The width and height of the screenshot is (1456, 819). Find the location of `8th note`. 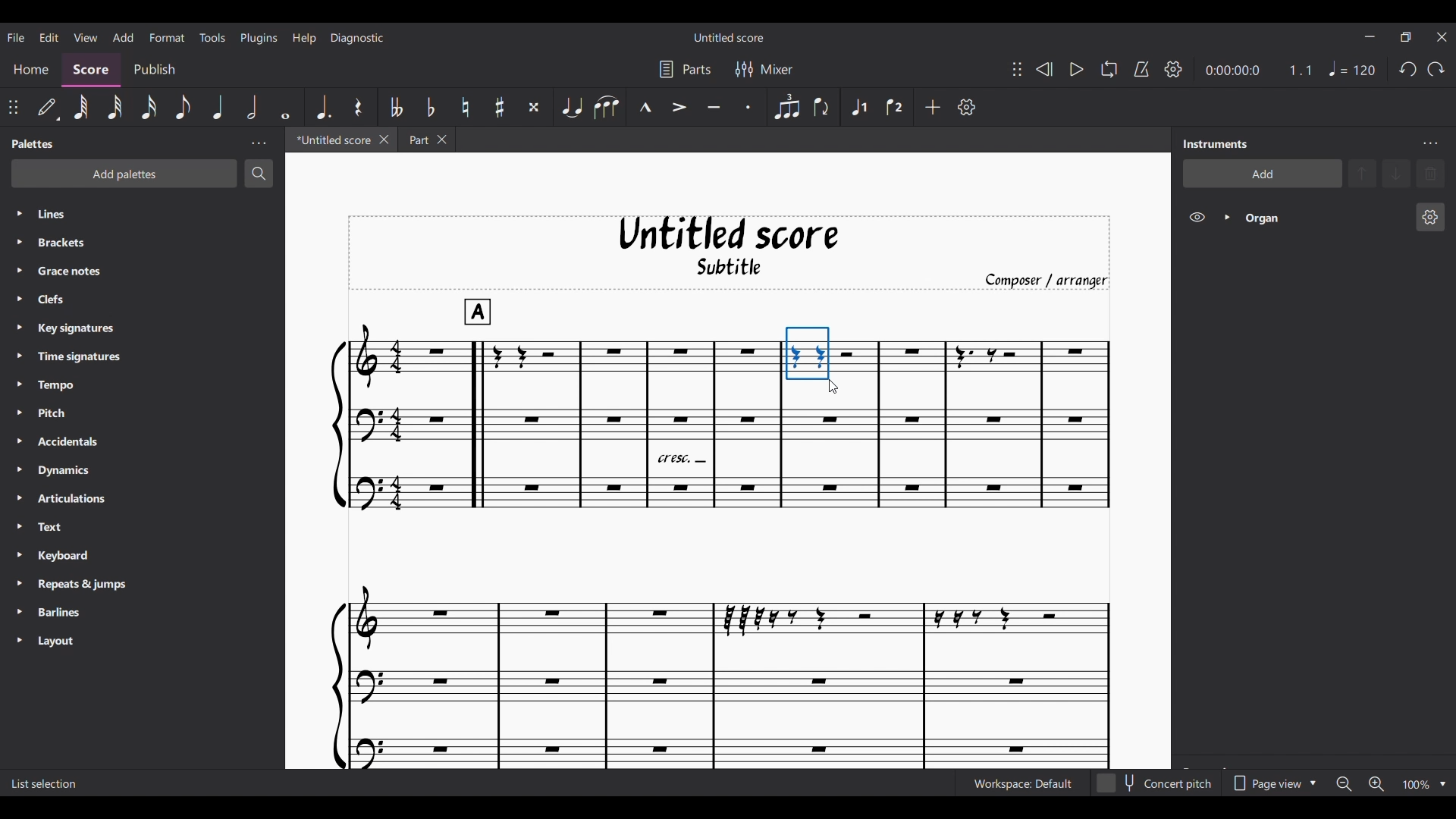

8th note is located at coordinates (184, 108).